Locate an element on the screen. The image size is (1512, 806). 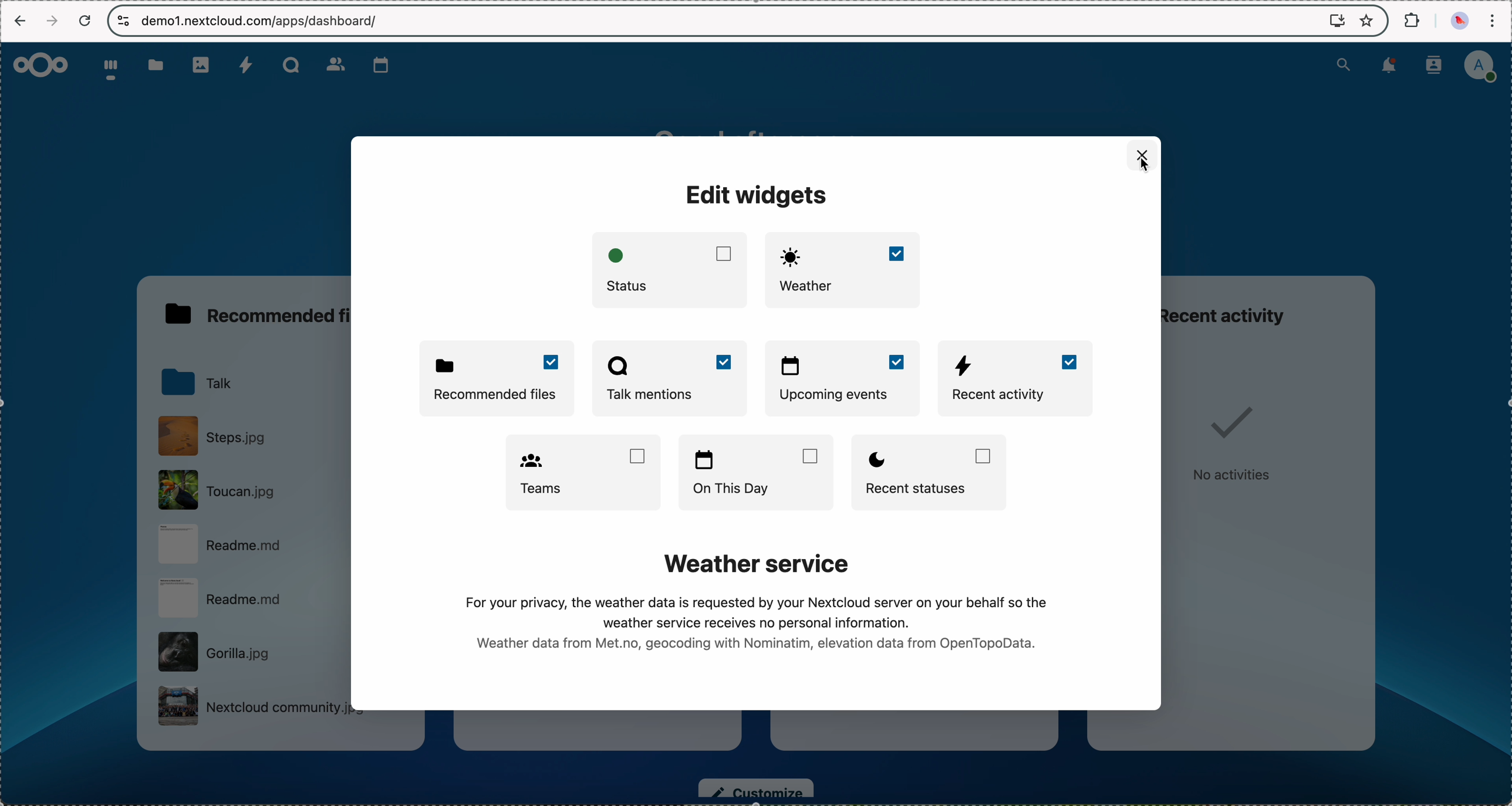
navigate back is located at coordinates (19, 22).